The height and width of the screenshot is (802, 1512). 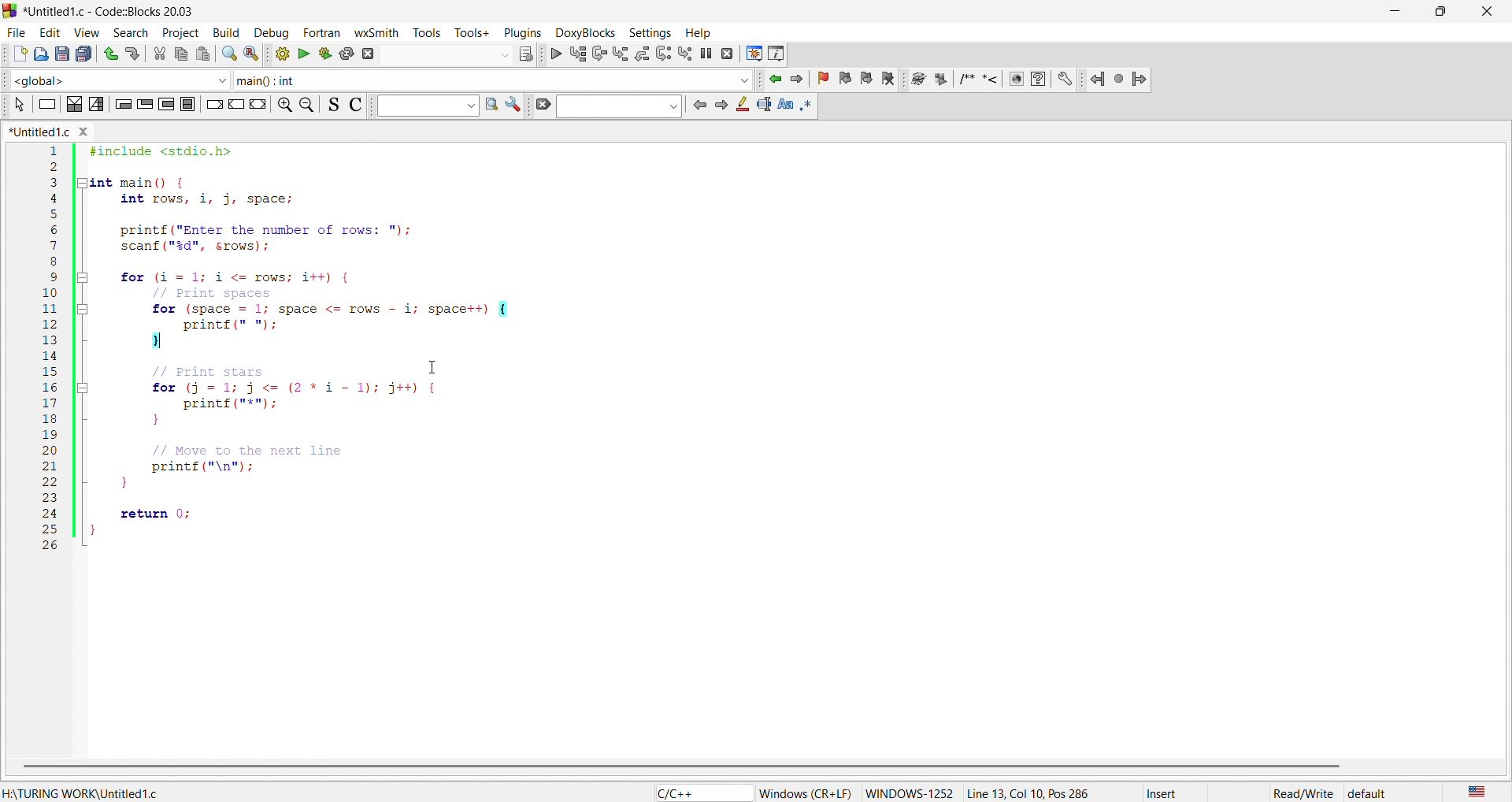 What do you see at coordinates (376, 31) in the screenshot?
I see `wxsmith` at bounding box center [376, 31].